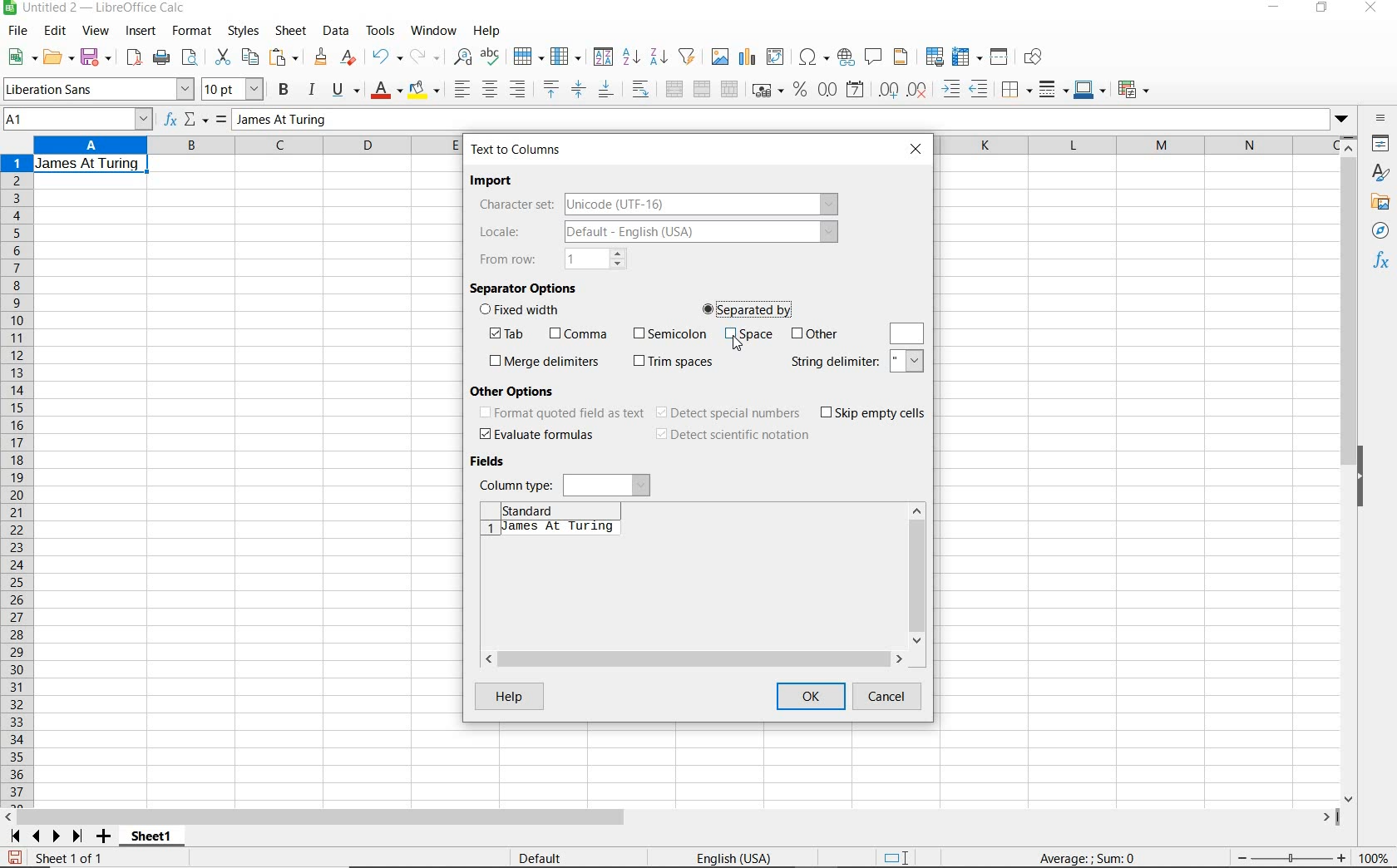 This screenshot has height=868, width=1397. Describe the element at coordinates (565, 484) in the screenshot. I see `column type` at that location.